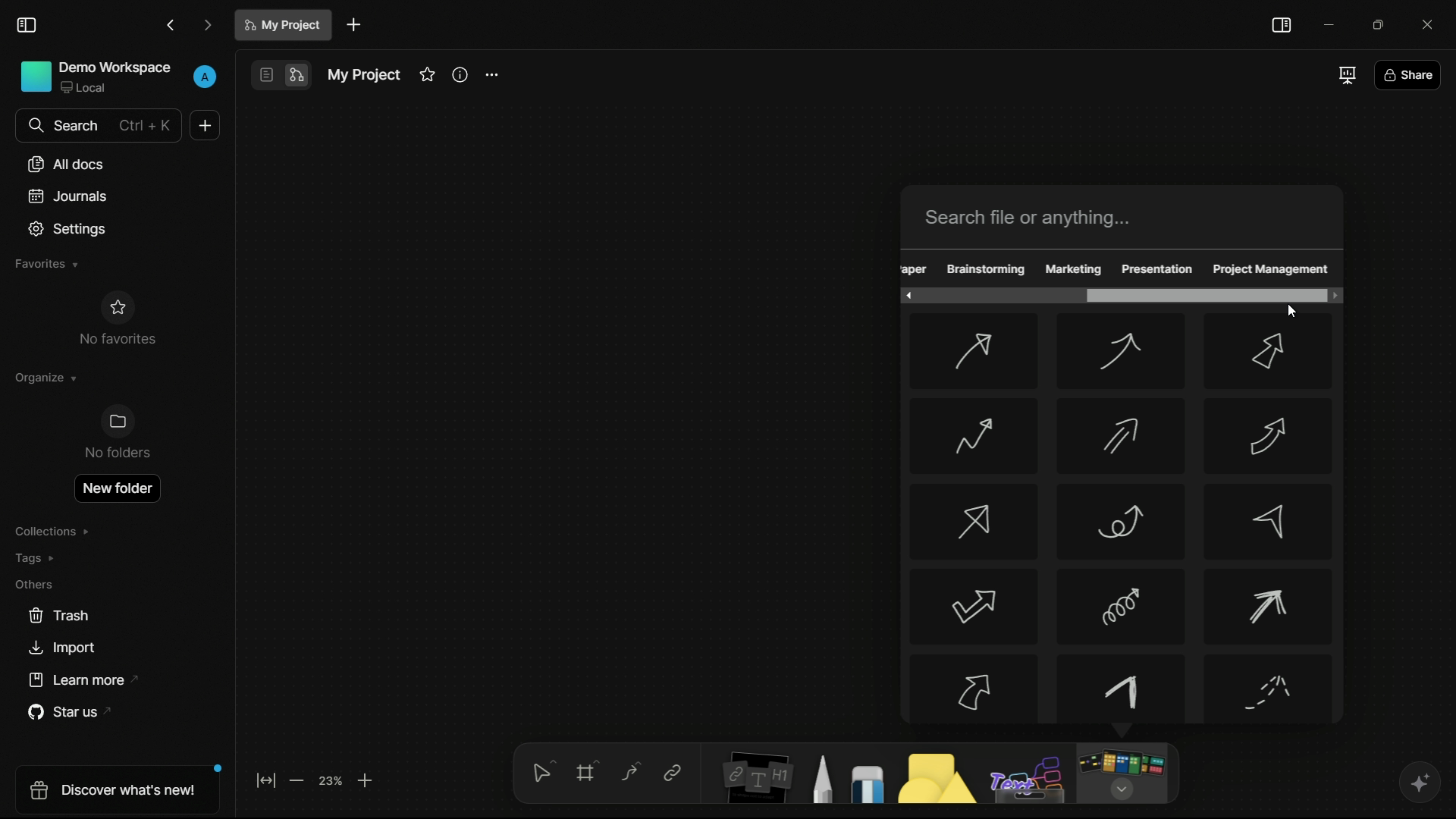  What do you see at coordinates (265, 75) in the screenshot?
I see `page mode` at bounding box center [265, 75].